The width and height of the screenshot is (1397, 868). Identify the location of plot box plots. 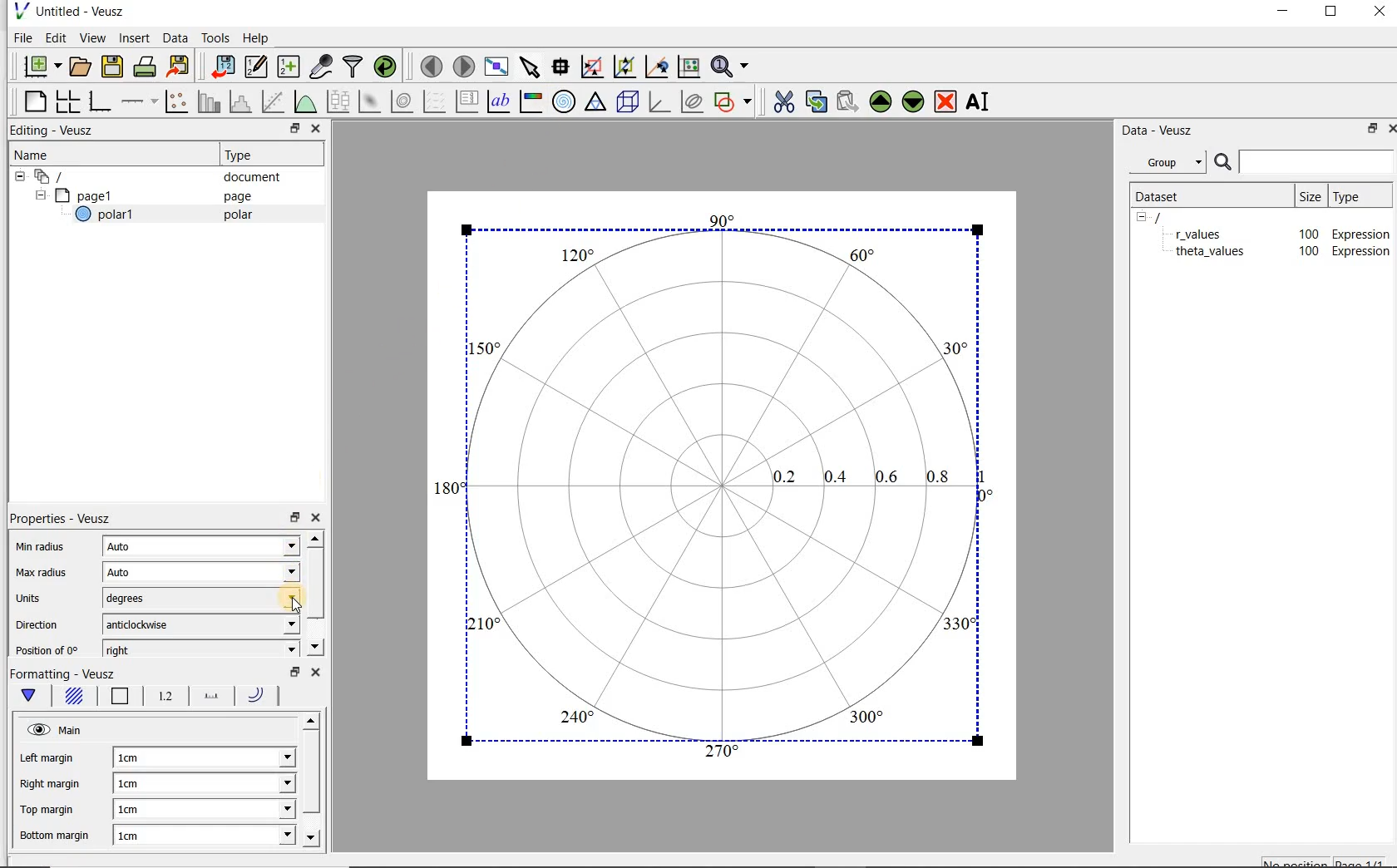
(338, 102).